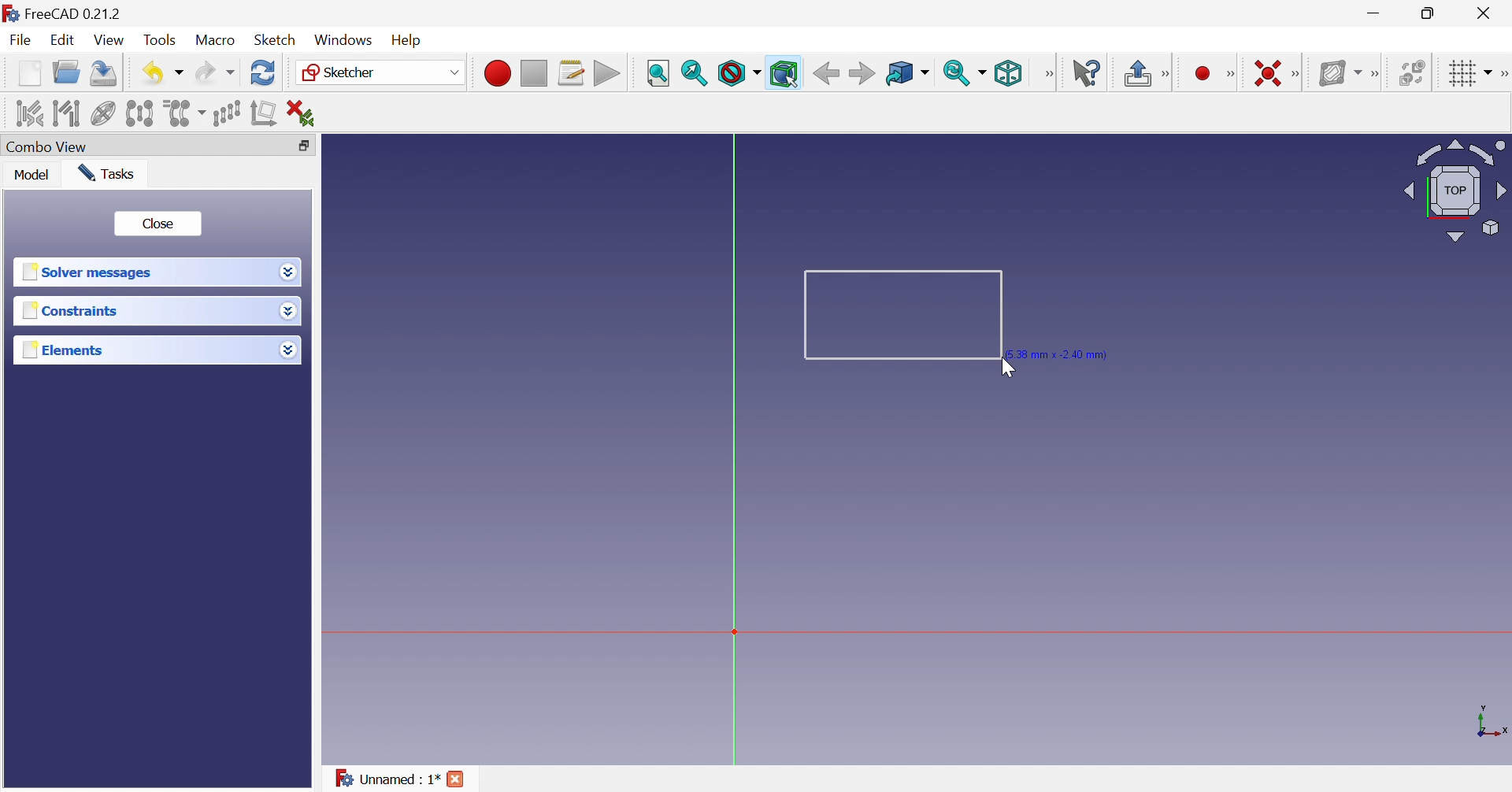  Describe the element at coordinates (572, 74) in the screenshot. I see `Macros...` at that location.